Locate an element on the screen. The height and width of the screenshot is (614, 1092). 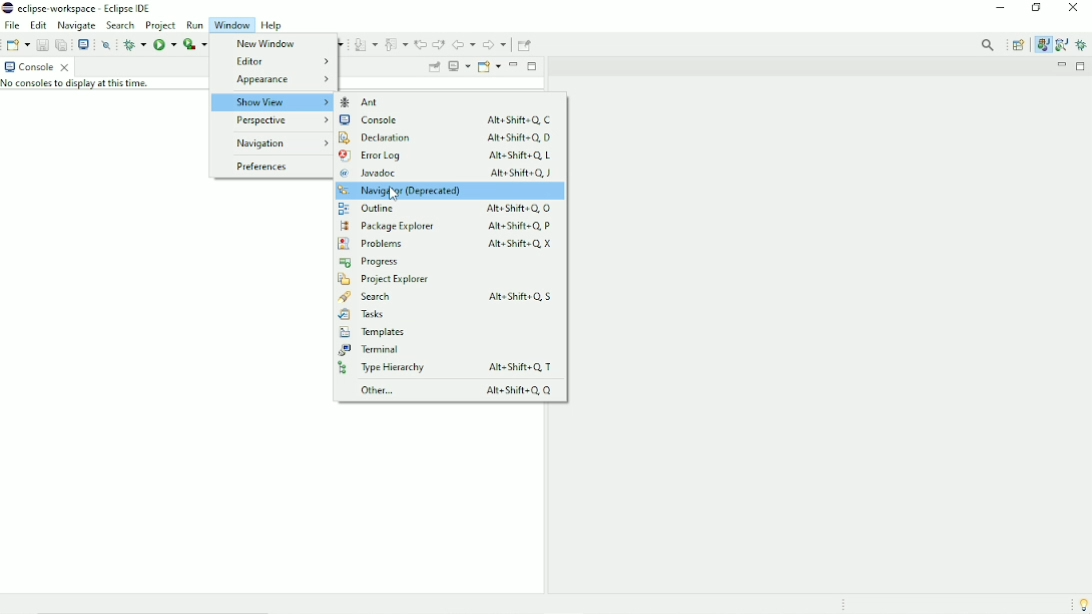
Problems is located at coordinates (445, 244).